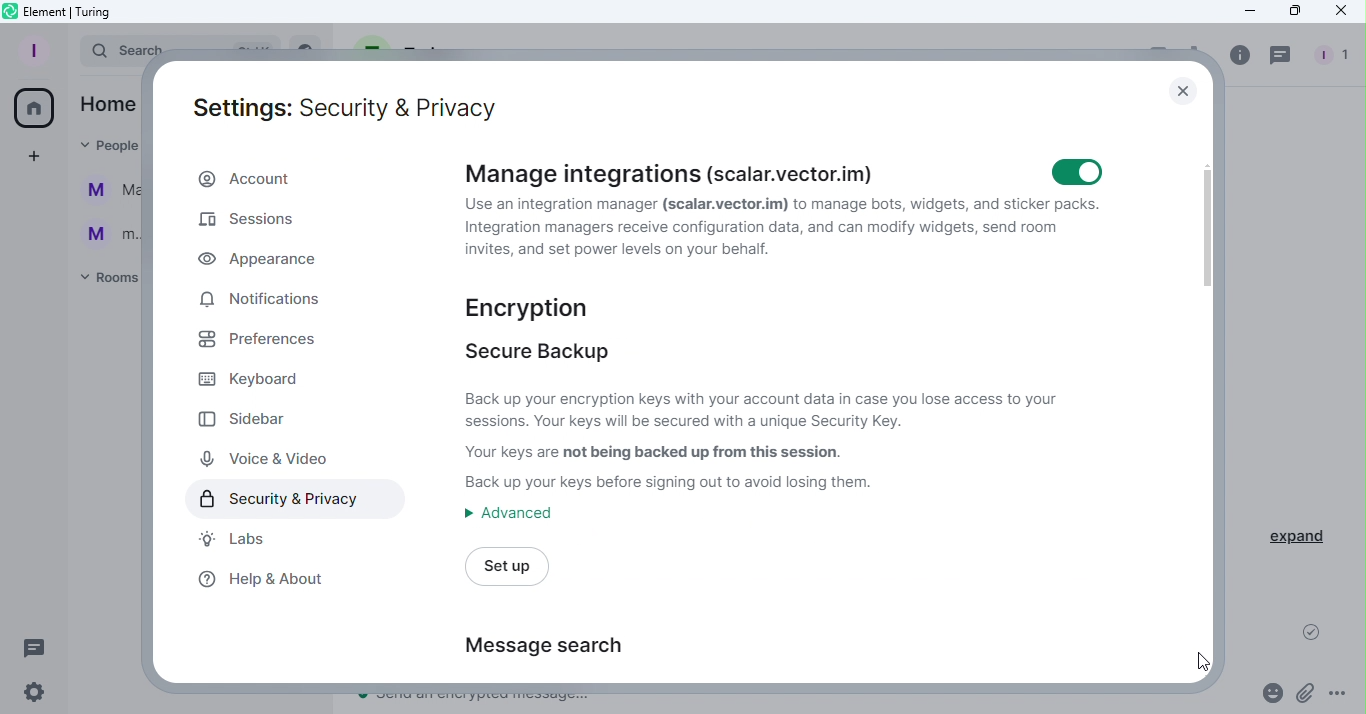  Describe the element at coordinates (1086, 172) in the screenshot. I see `Toggle manage integrations` at that location.